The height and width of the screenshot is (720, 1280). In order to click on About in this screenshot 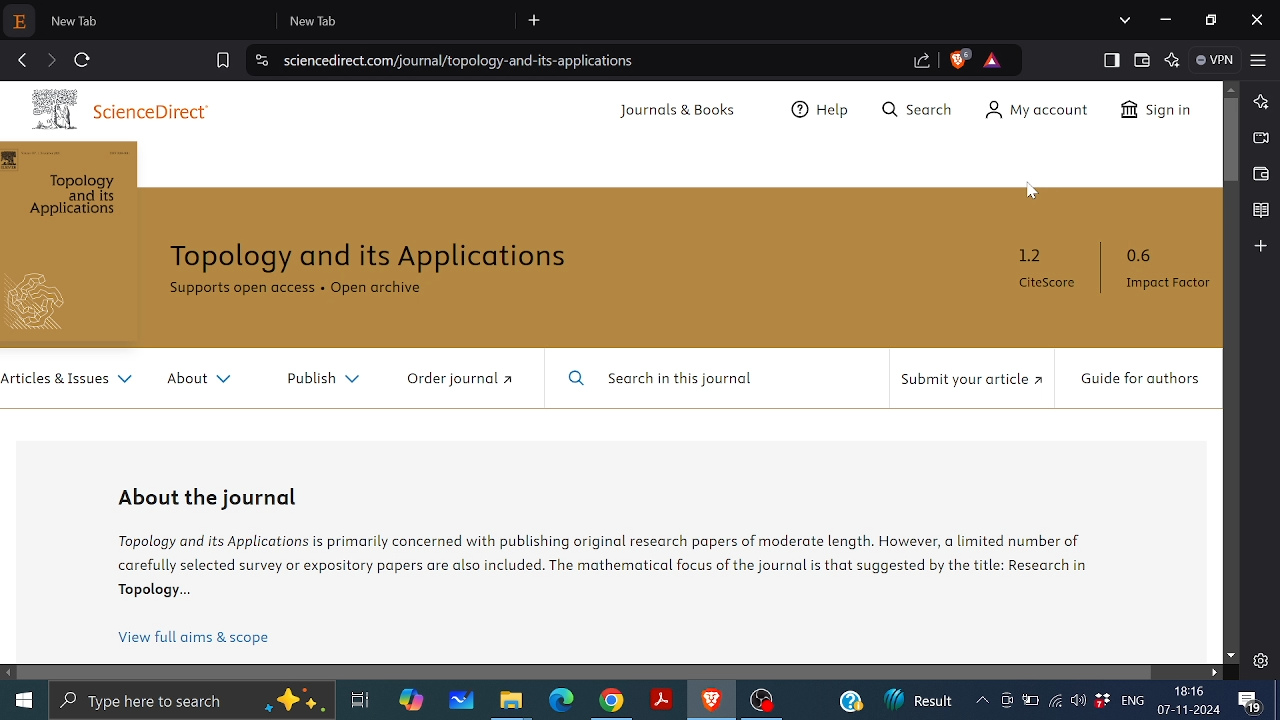, I will do `click(209, 382)`.